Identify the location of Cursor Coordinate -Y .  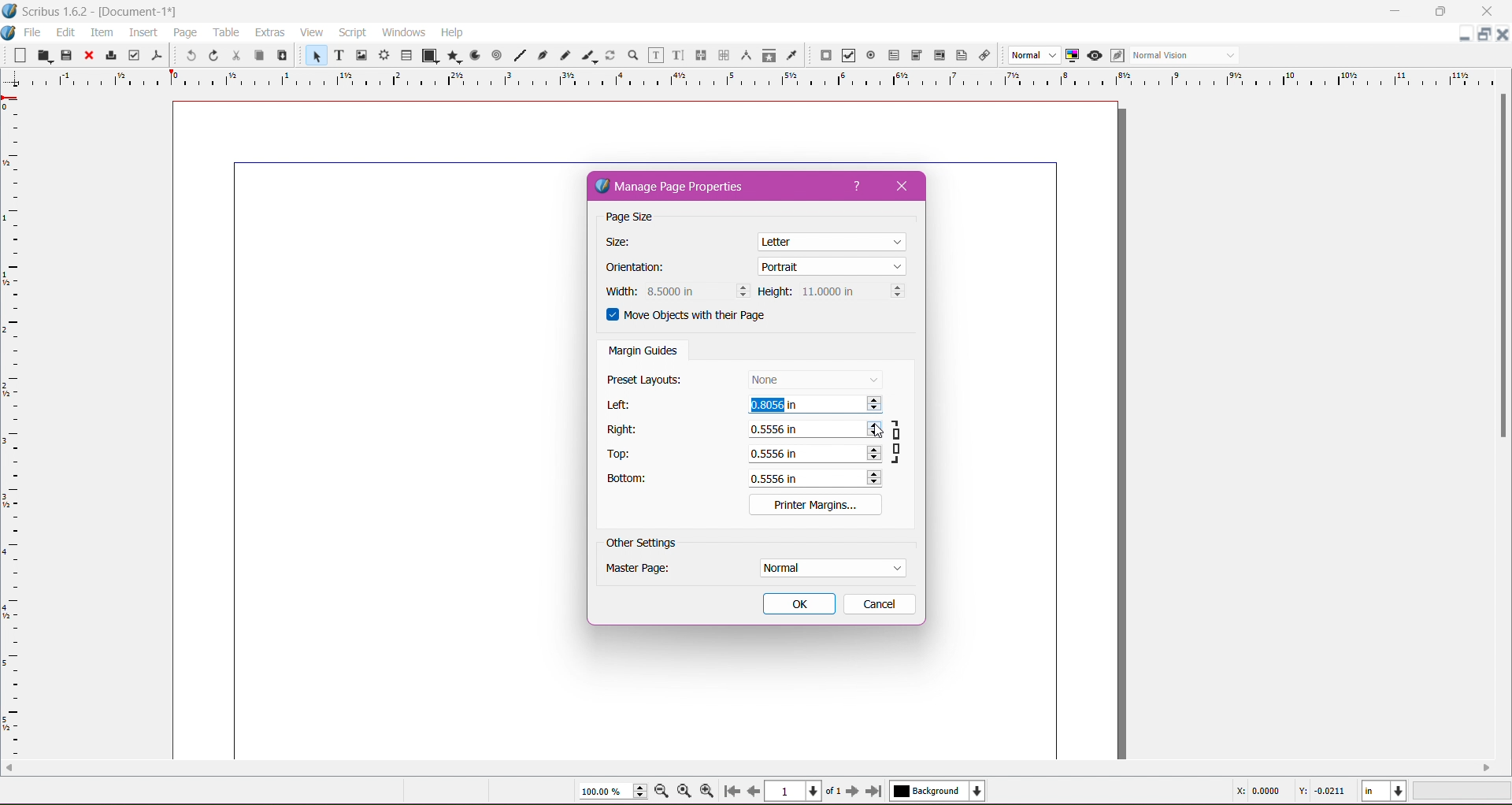
(1320, 792).